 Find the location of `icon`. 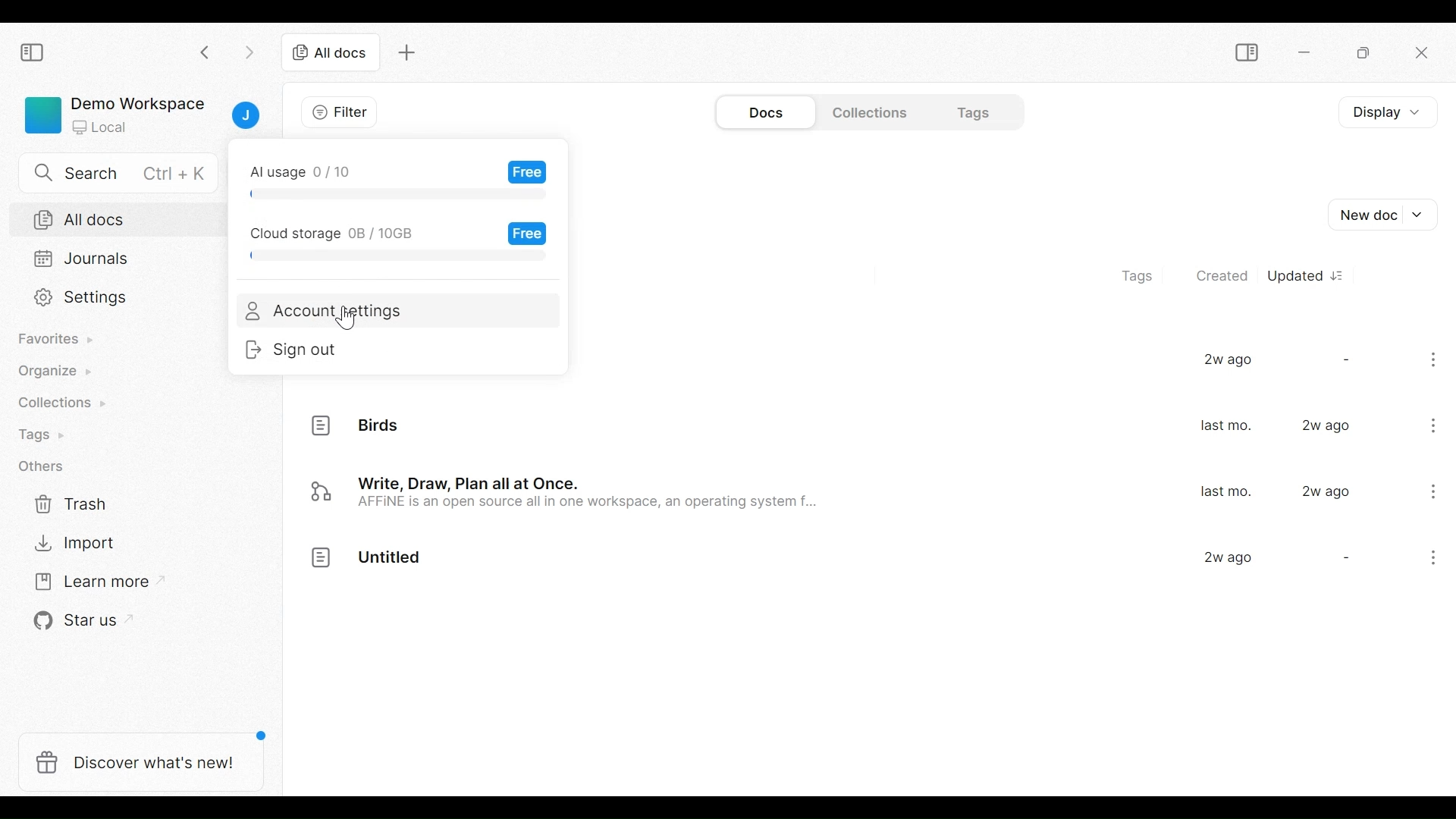

icon is located at coordinates (320, 492).